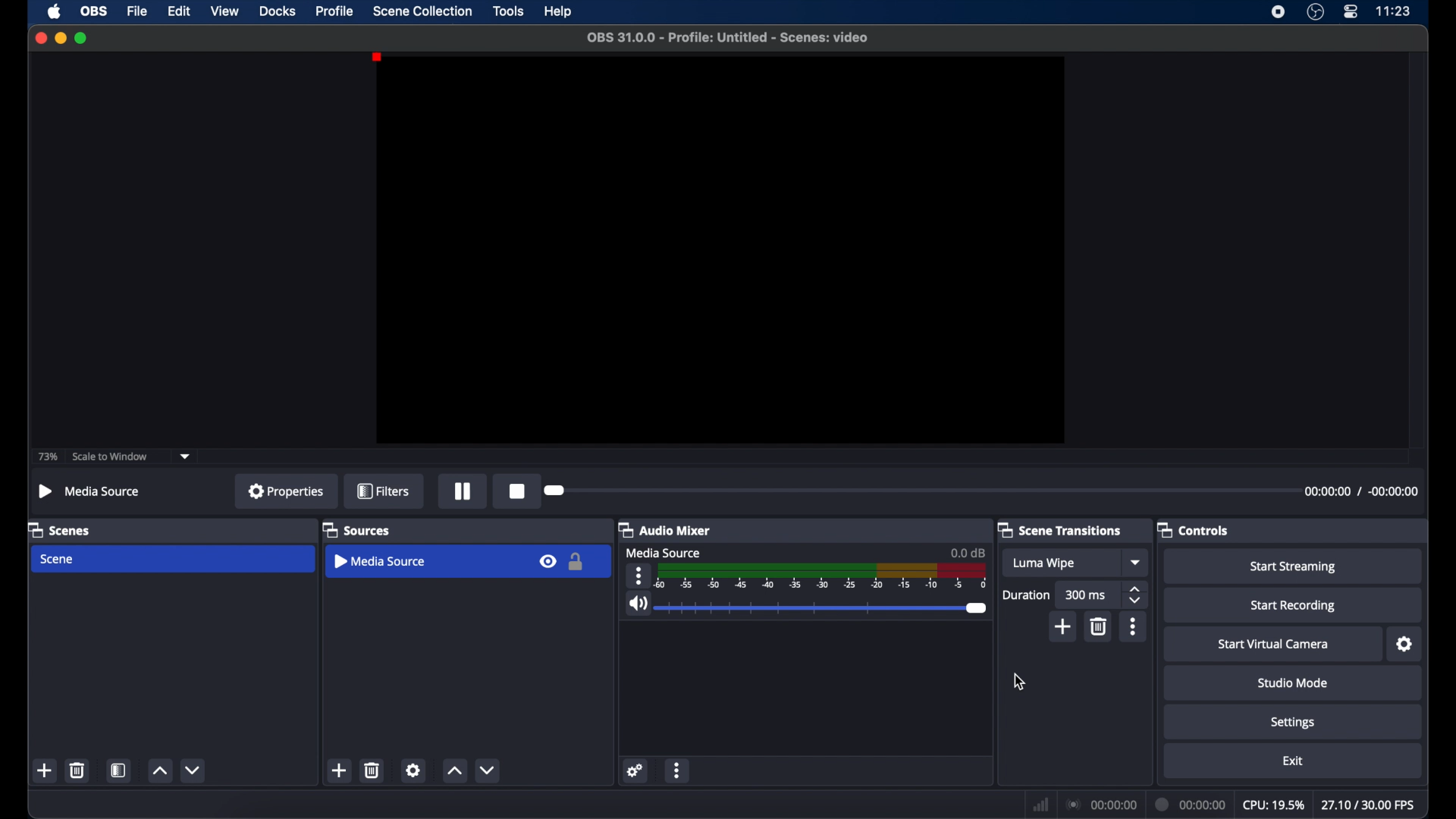 This screenshot has height=819, width=1456. Describe the element at coordinates (454, 771) in the screenshot. I see `increment` at that location.